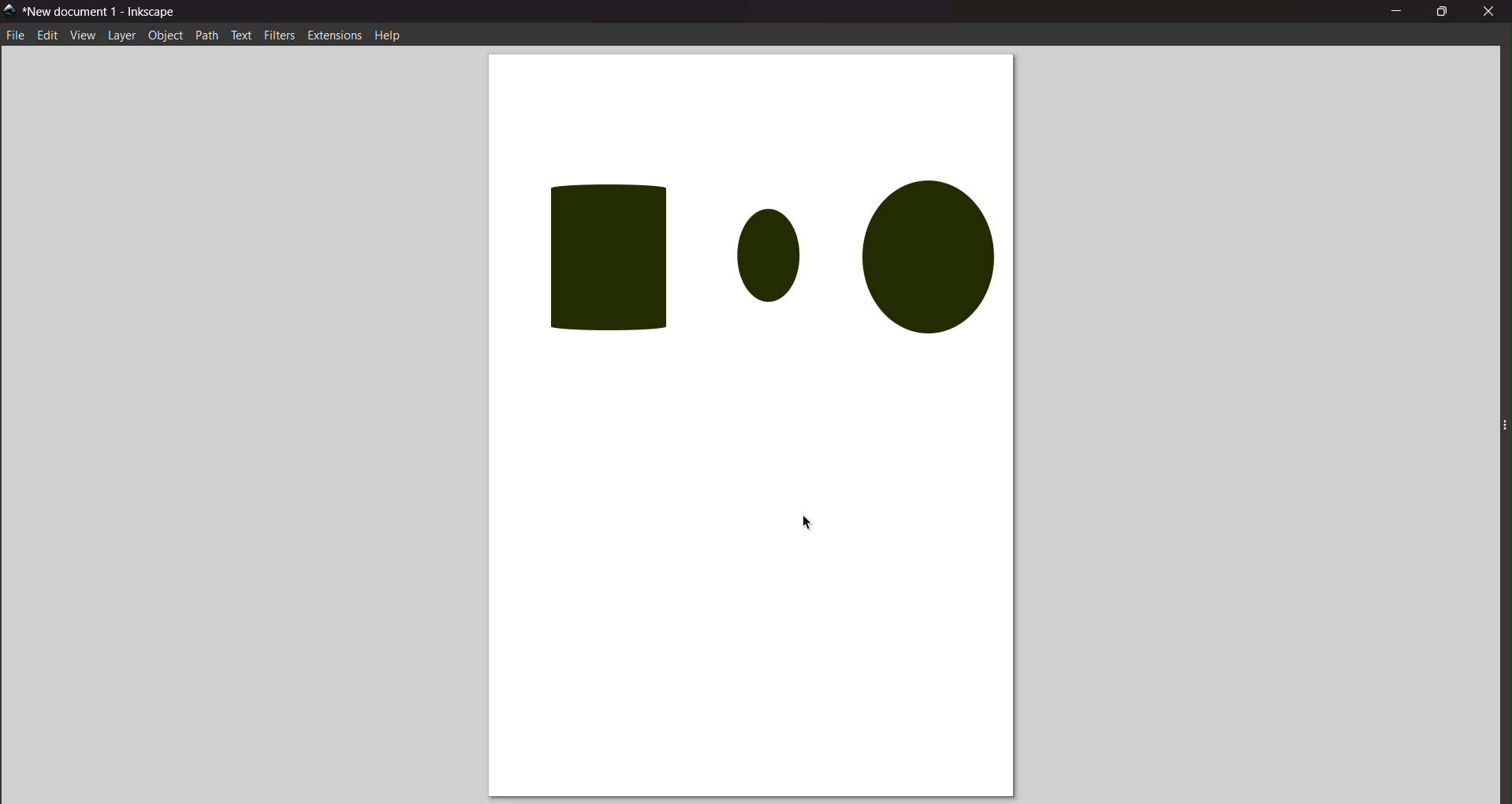 The width and height of the screenshot is (1512, 804). I want to click on help, so click(387, 38).